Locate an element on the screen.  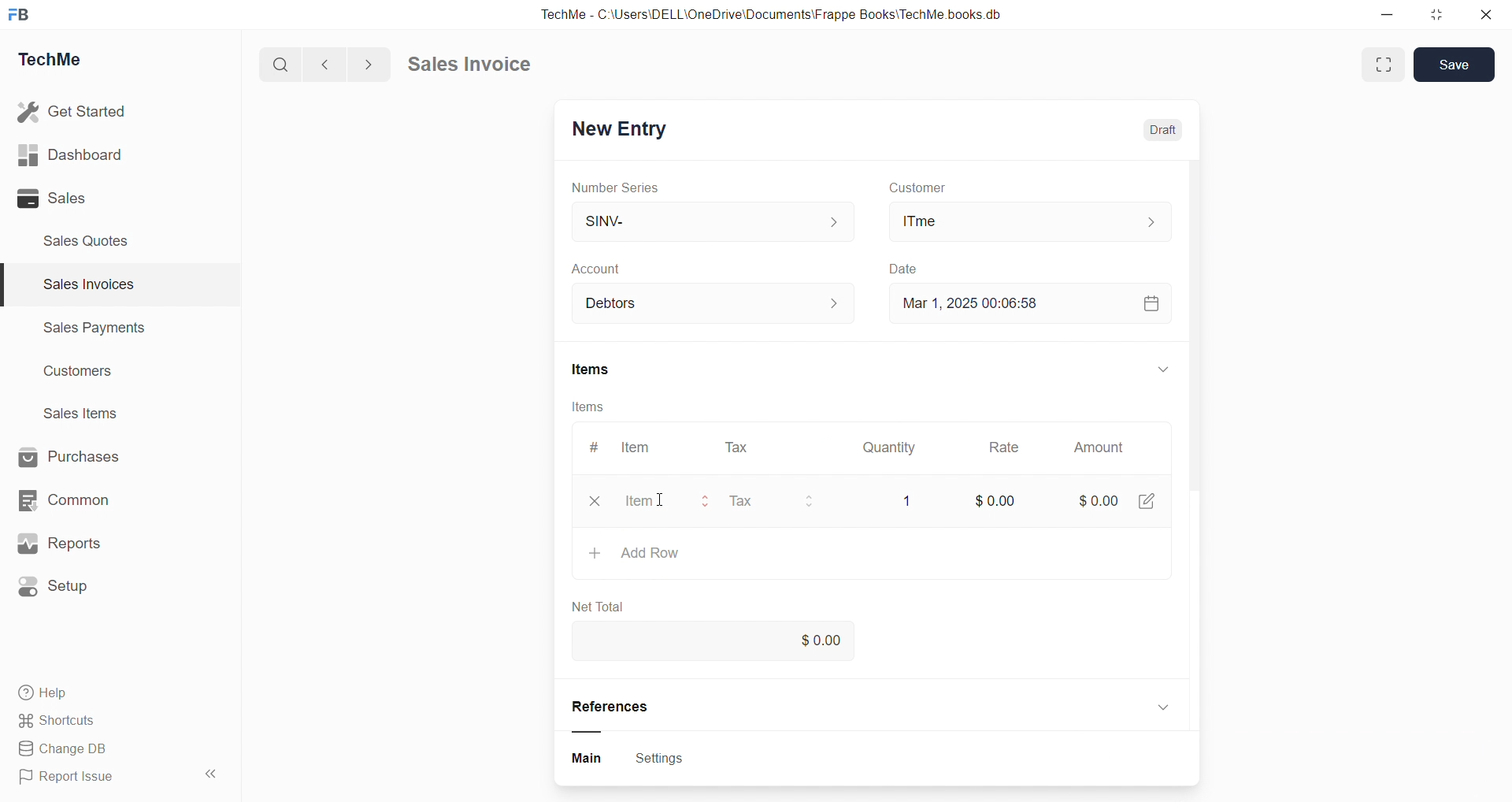
Account is located at coordinates (621, 304).